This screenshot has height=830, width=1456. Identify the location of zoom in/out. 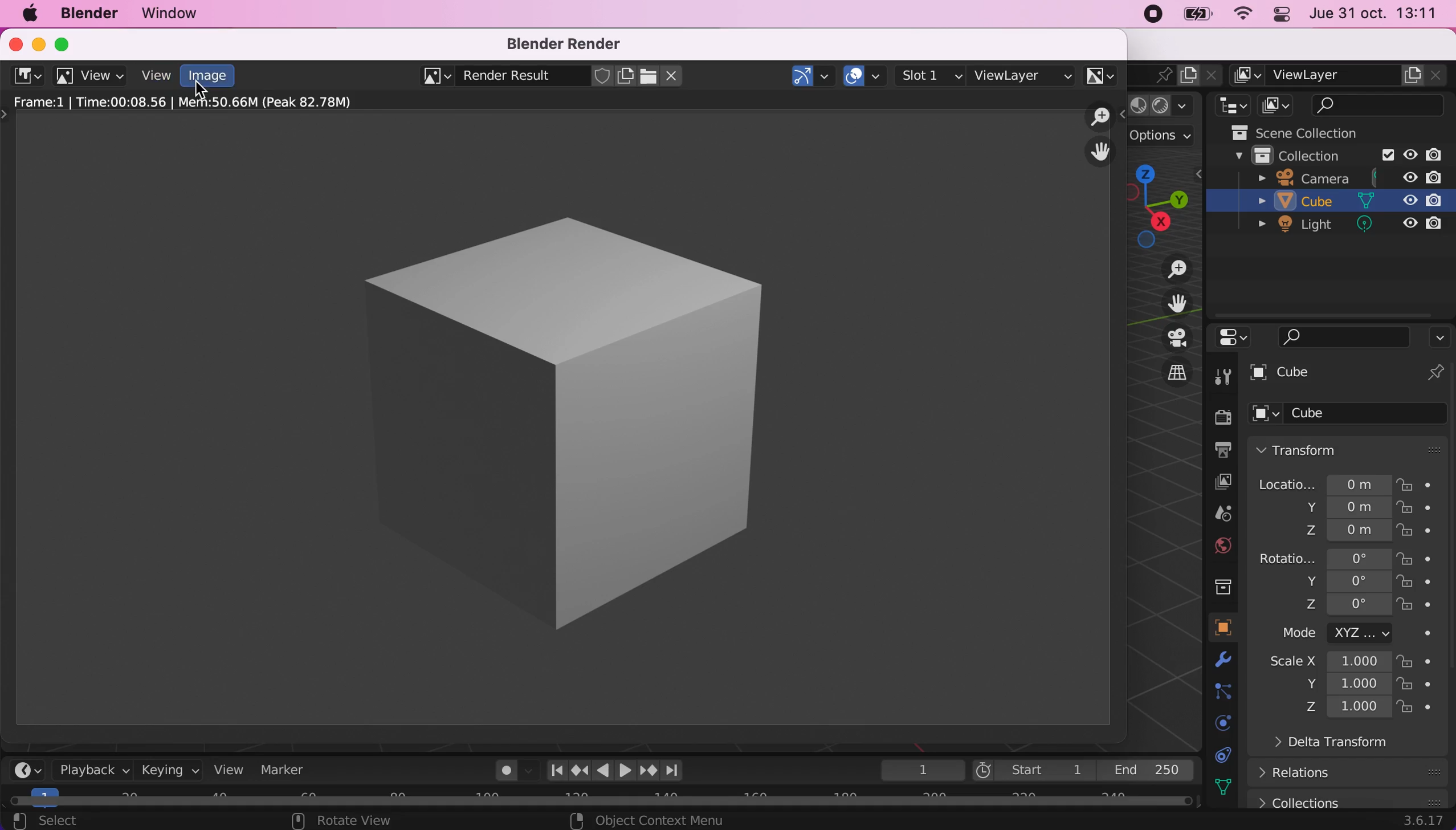
(1101, 117).